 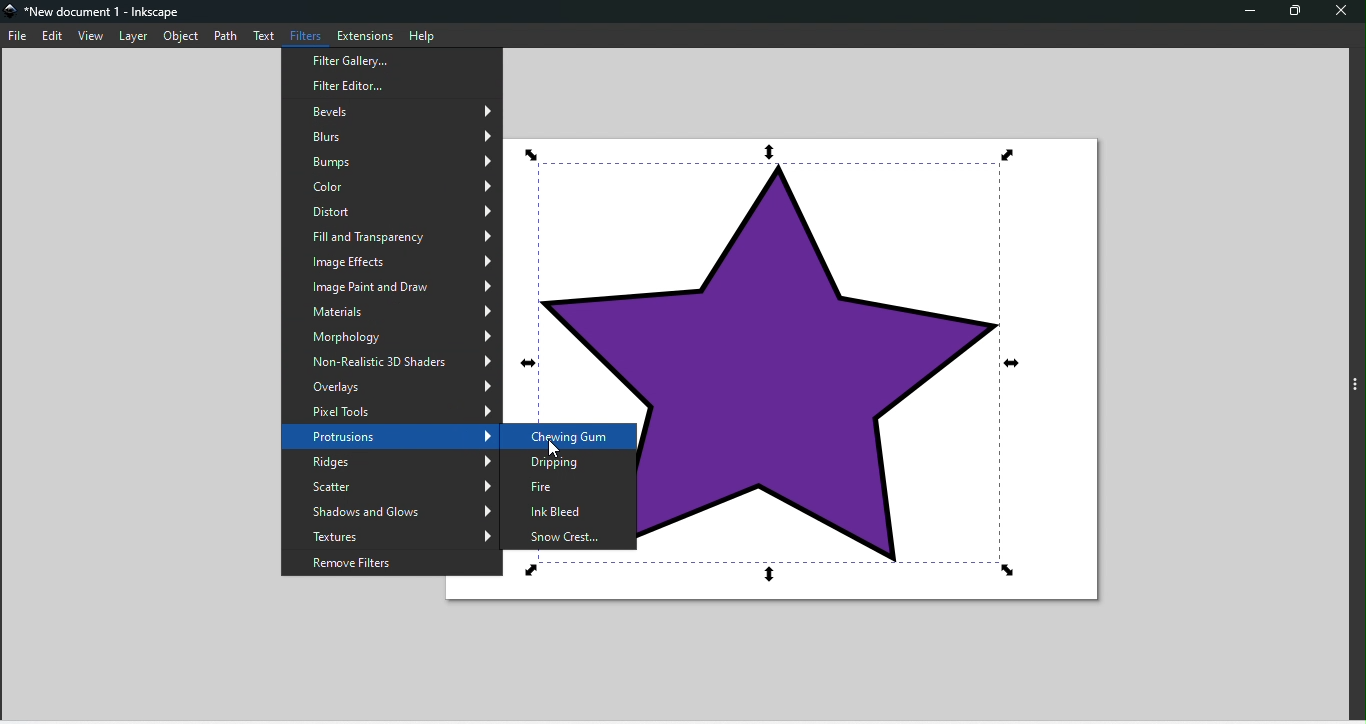 What do you see at coordinates (1340, 10) in the screenshot?
I see `Close` at bounding box center [1340, 10].